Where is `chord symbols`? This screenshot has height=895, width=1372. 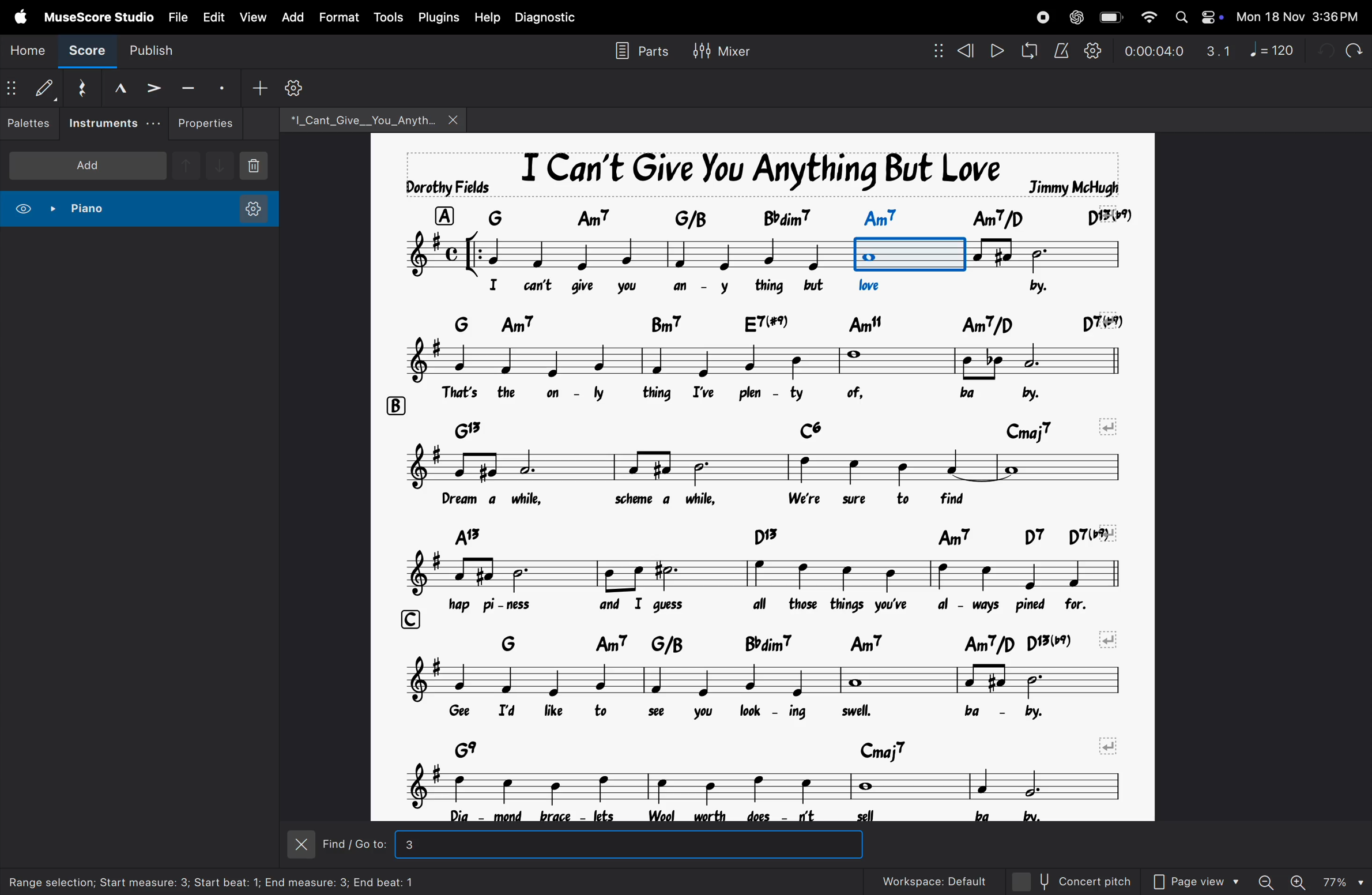 chord symbols is located at coordinates (786, 749).